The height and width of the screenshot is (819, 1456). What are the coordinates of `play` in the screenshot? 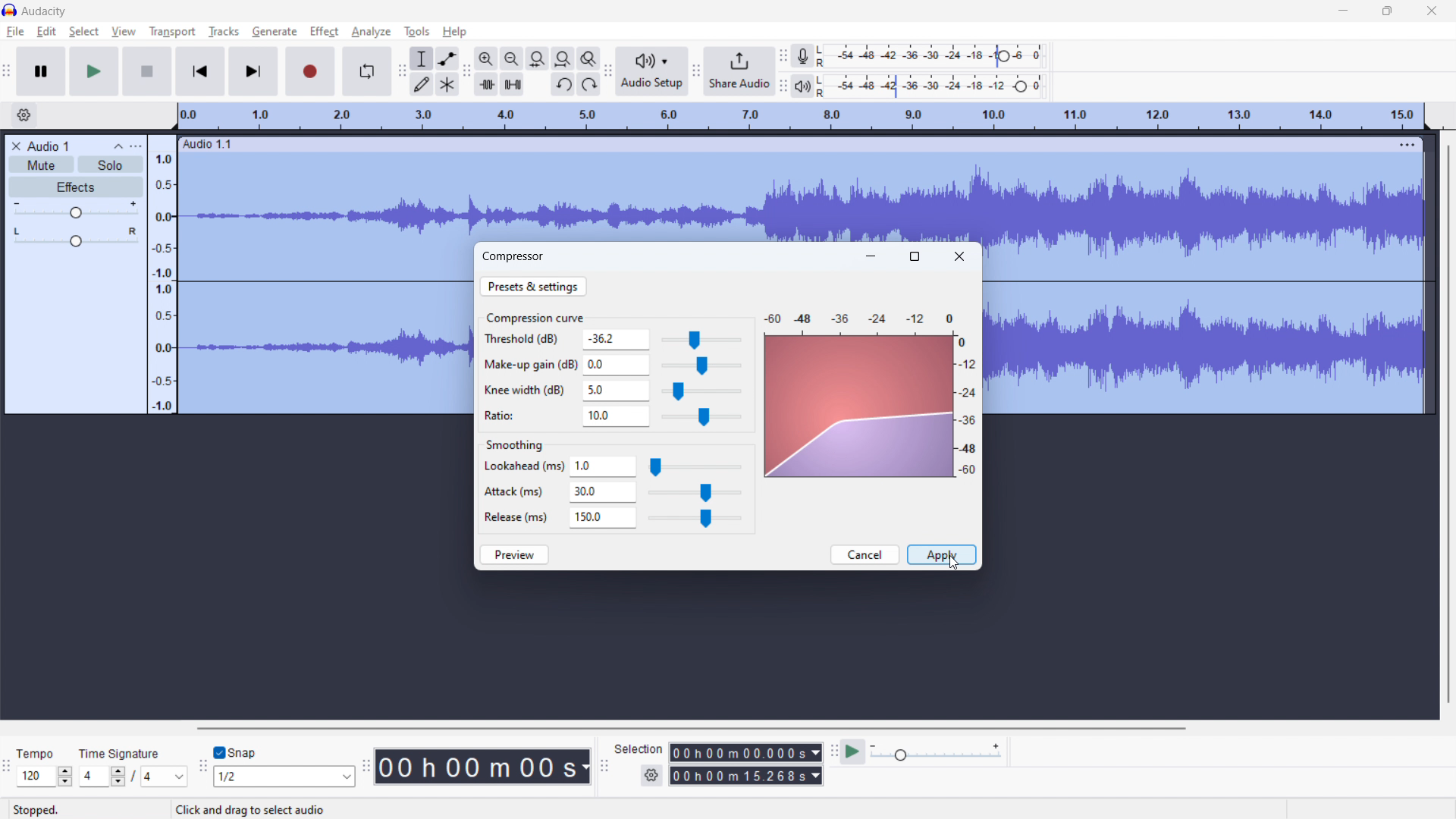 It's located at (94, 71).